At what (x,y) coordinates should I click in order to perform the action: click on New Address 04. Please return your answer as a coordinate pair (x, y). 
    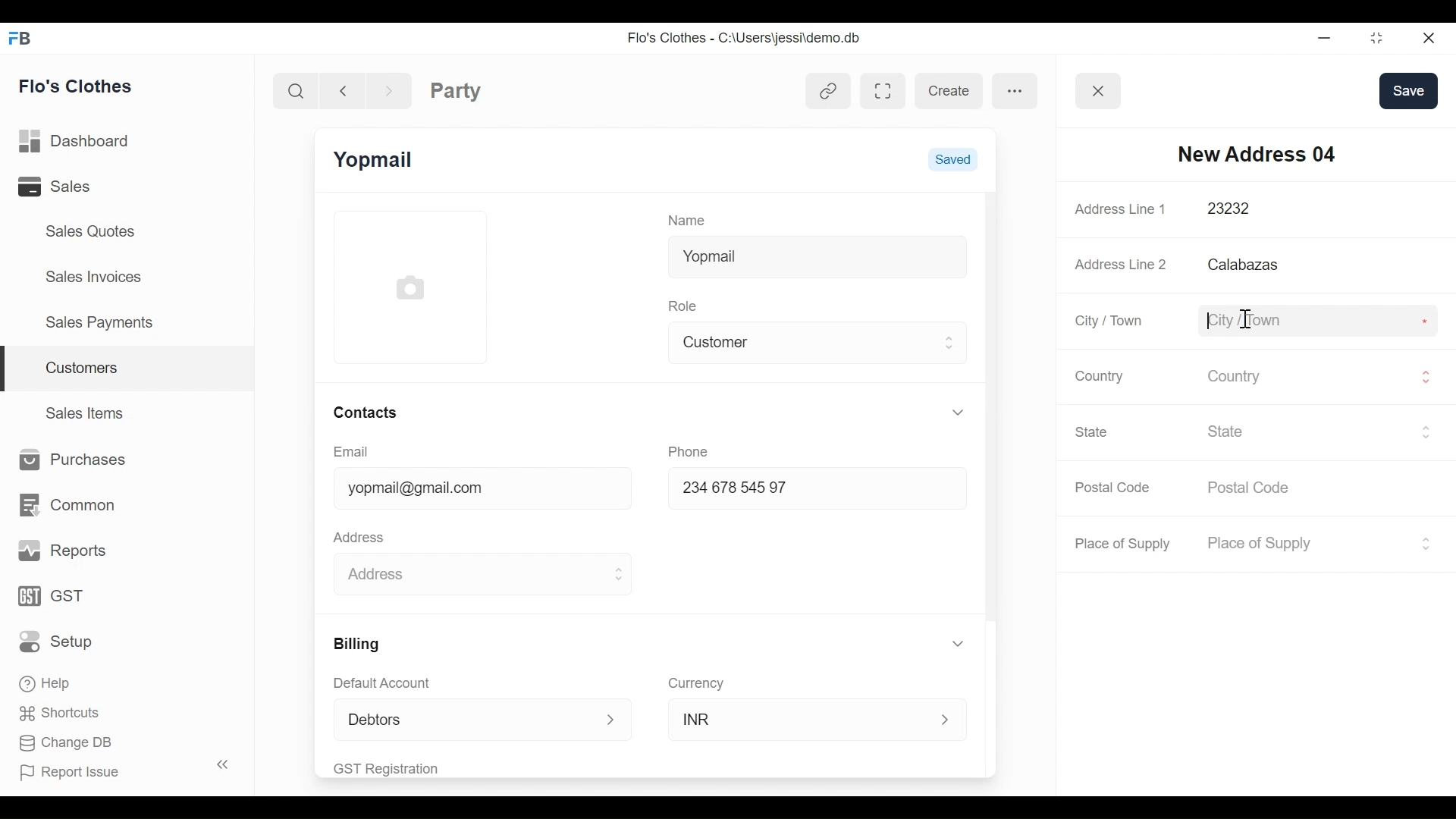
    Looking at the image, I should click on (1257, 153).